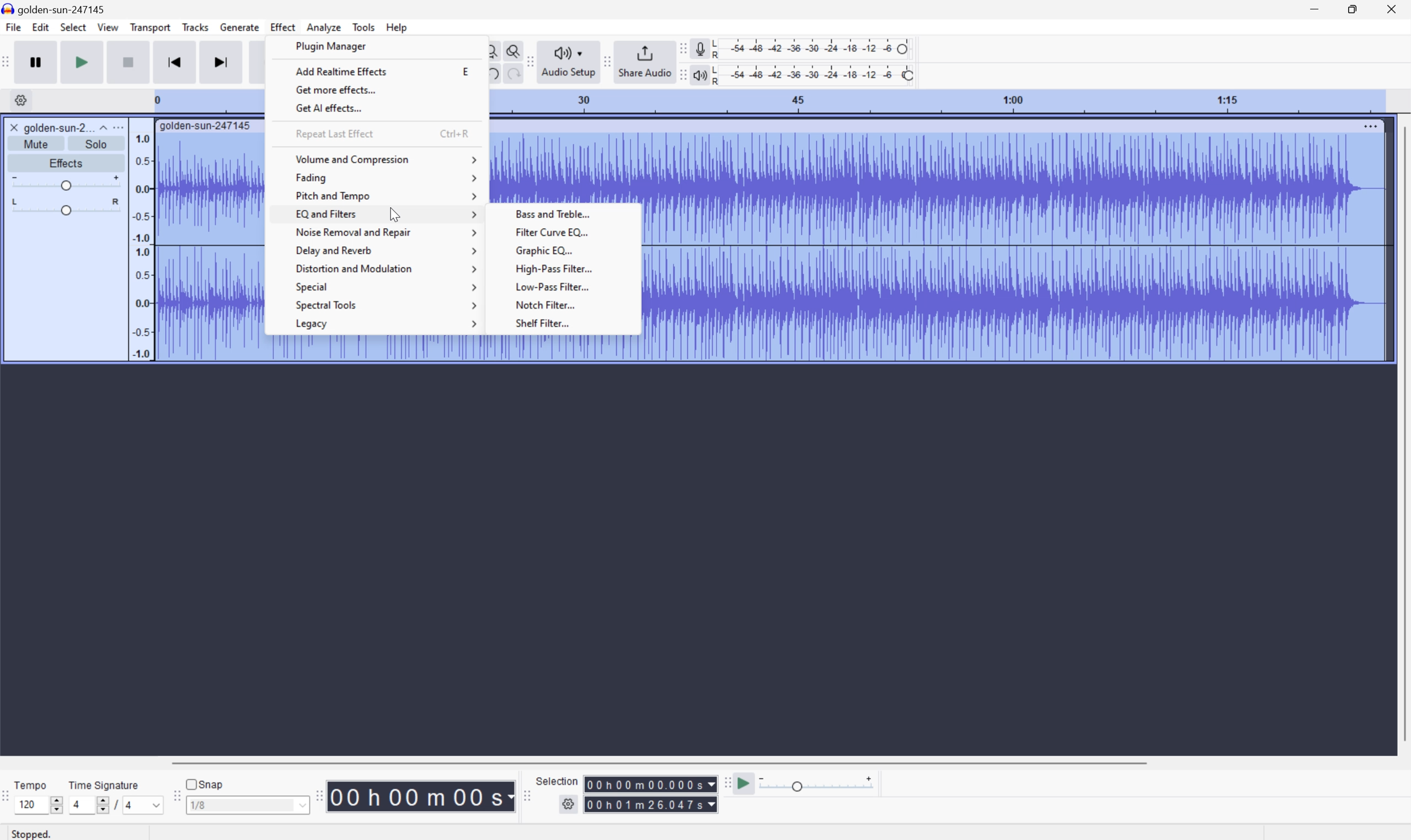 This screenshot has height=840, width=1411. What do you see at coordinates (571, 233) in the screenshot?
I see `Filter Curve EQ...` at bounding box center [571, 233].